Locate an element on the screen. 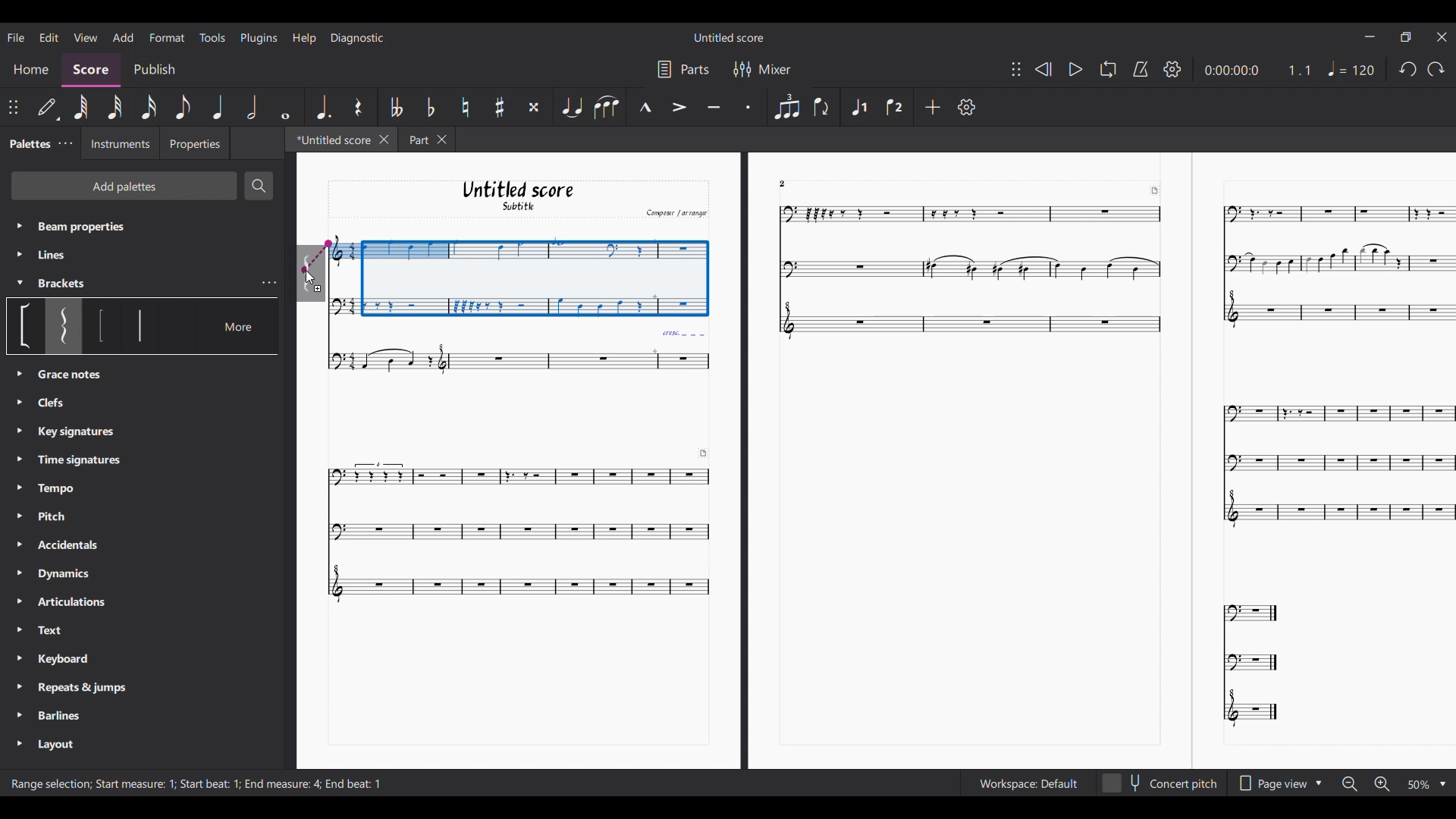 The height and width of the screenshot is (819, 1456). Minimize is located at coordinates (1370, 36).